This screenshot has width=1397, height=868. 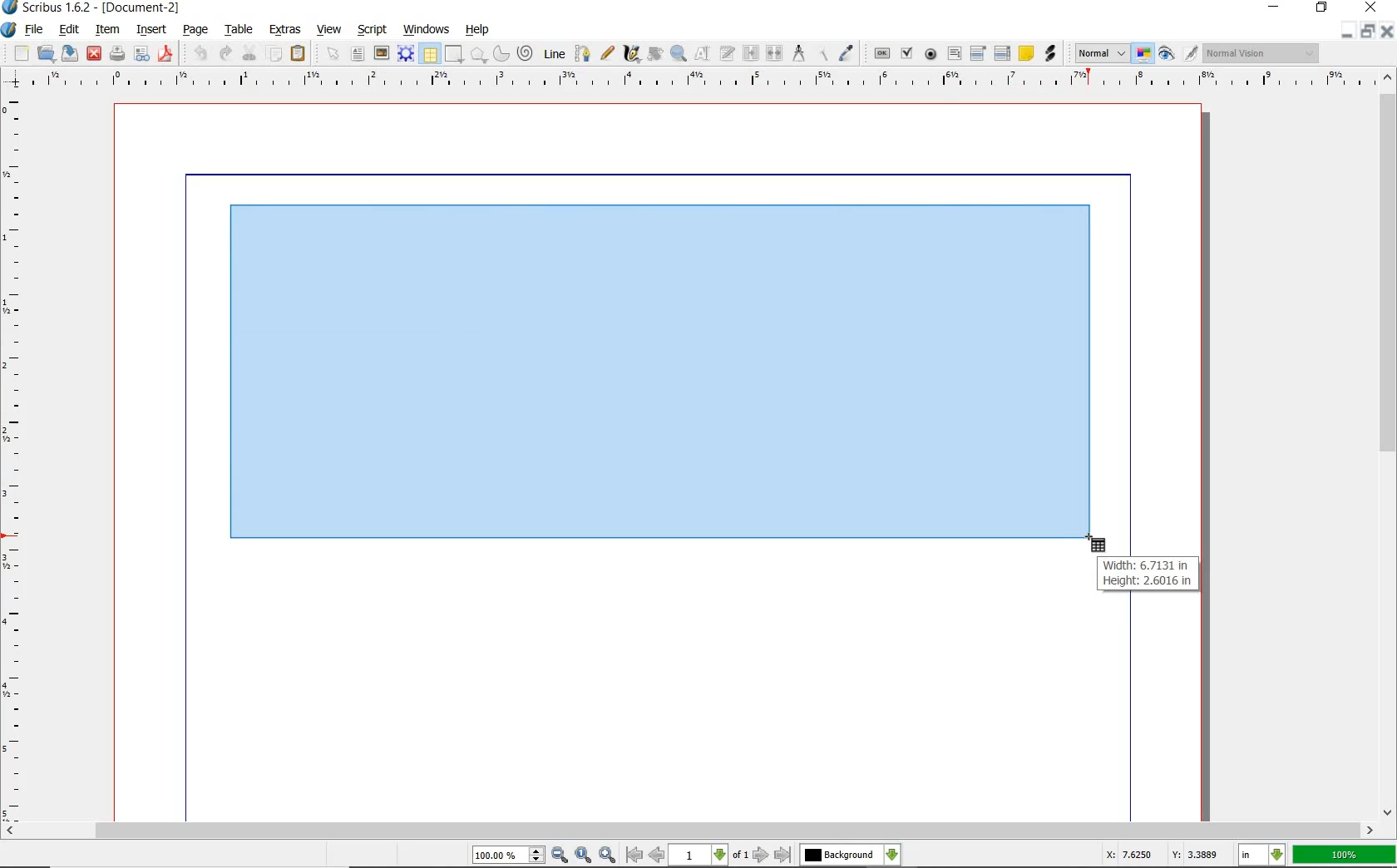 What do you see at coordinates (201, 54) in the screenshot?
I see `undo` at bounding box center [201, 54].